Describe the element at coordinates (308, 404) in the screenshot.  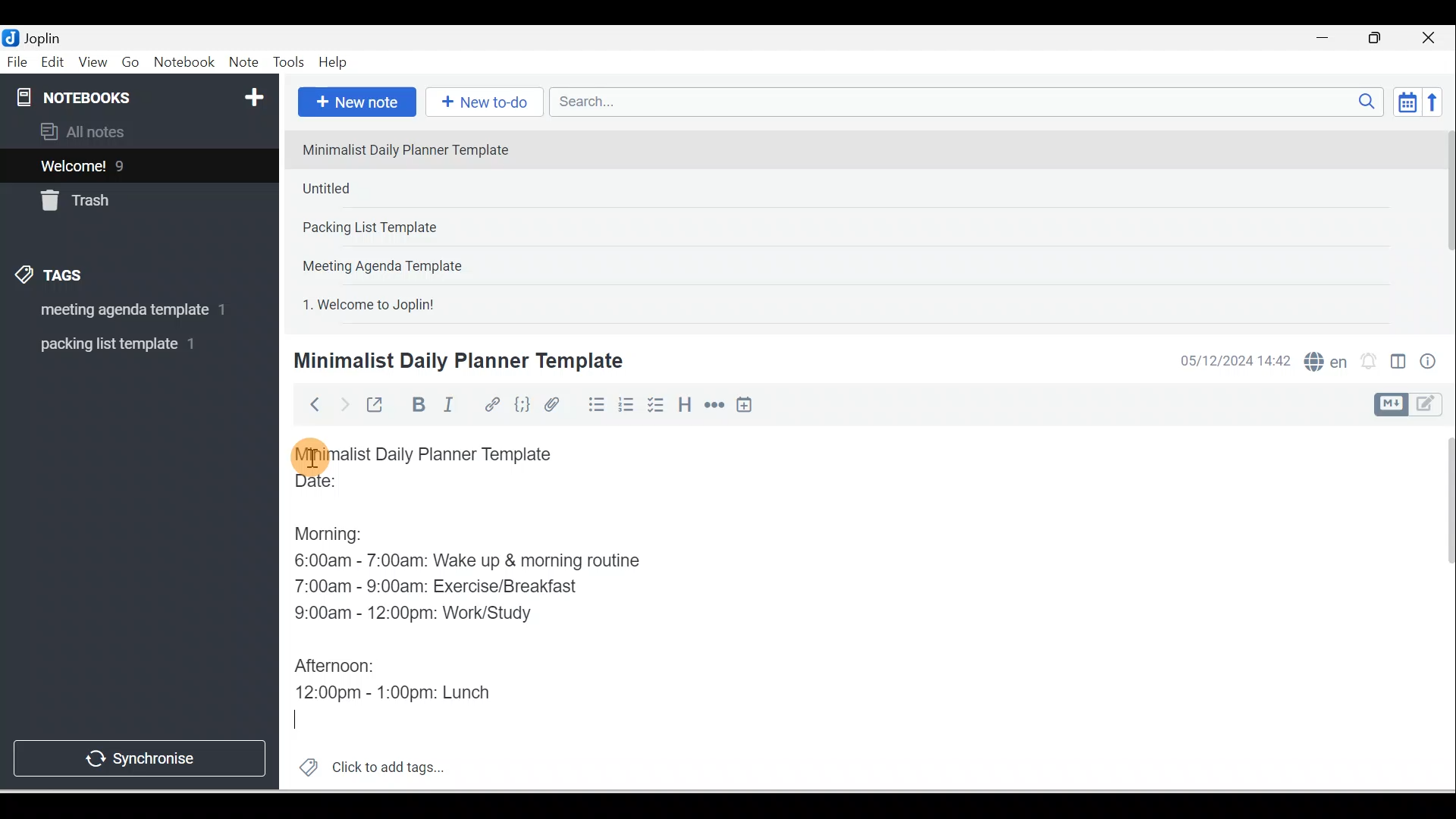
I see `Back` at that location.